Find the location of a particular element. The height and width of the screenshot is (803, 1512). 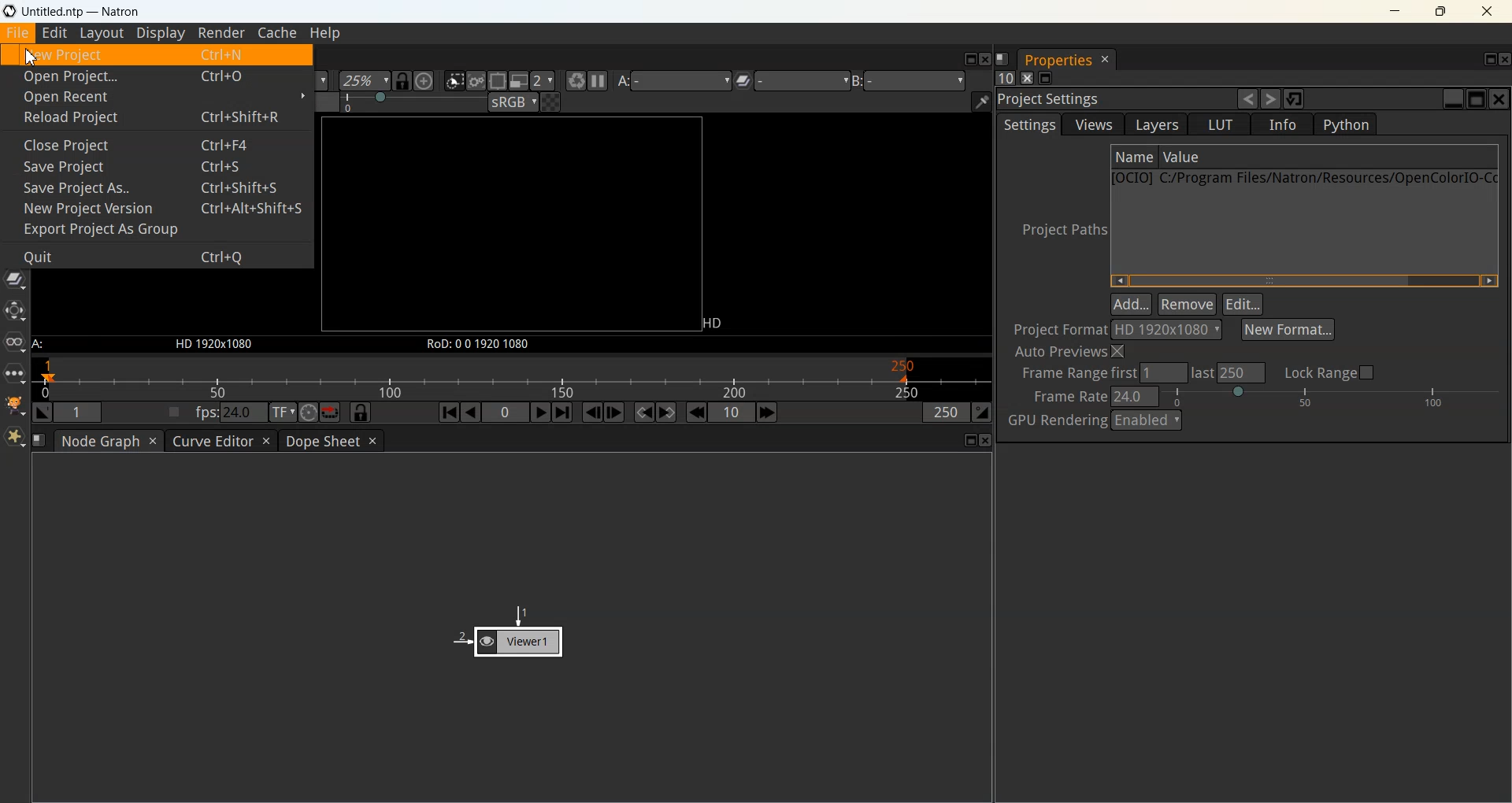

GPU rendering Enable/ disable is located at coordinates (1146, 420).